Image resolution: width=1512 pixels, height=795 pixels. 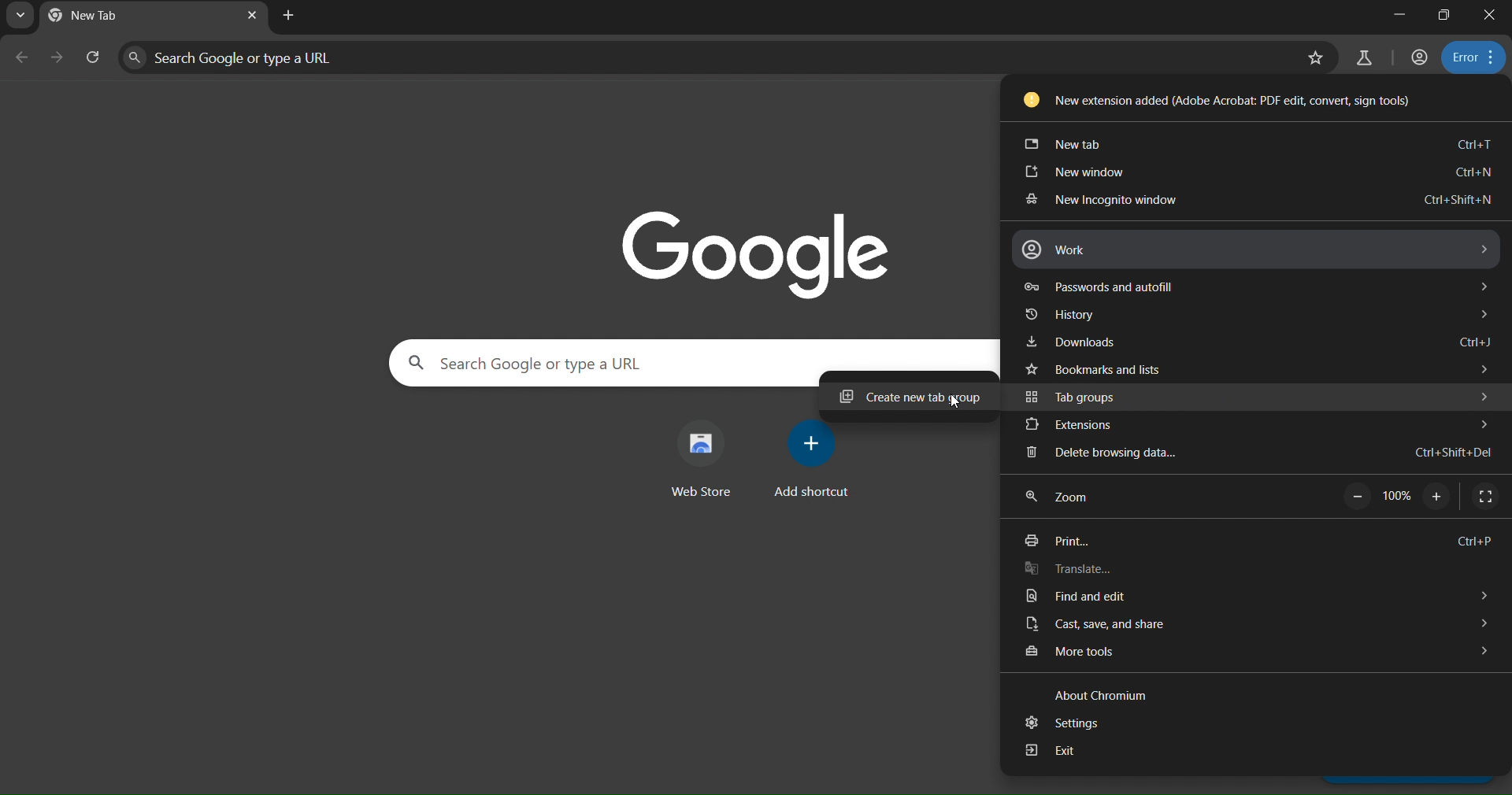 I want to click on extensions, so click(x=1251, y=425).